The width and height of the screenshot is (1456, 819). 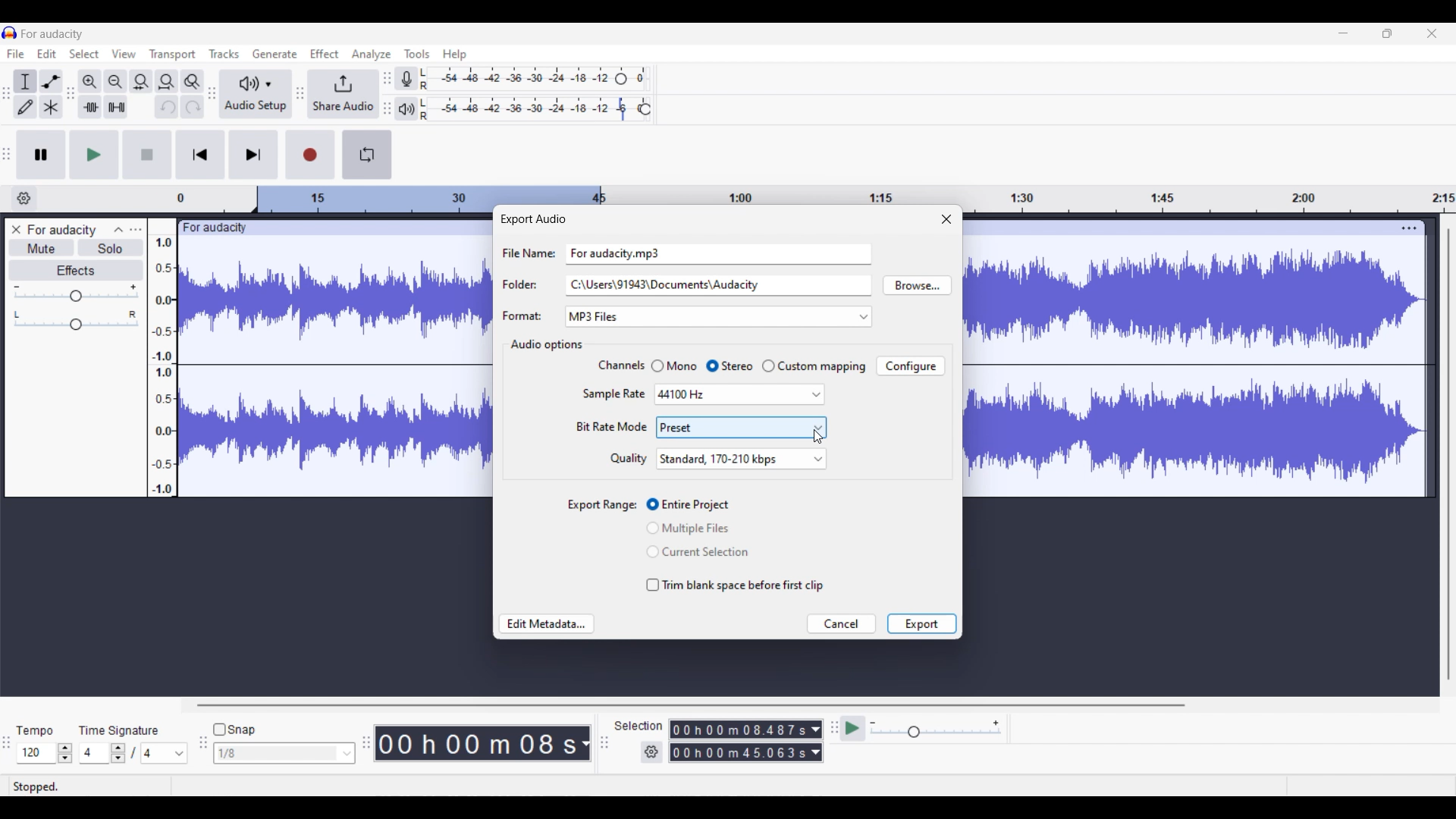 What do you see at coordinates (51, 107) in the screenshot?
I see `Multi-tool` at bounding box center [51, 107].